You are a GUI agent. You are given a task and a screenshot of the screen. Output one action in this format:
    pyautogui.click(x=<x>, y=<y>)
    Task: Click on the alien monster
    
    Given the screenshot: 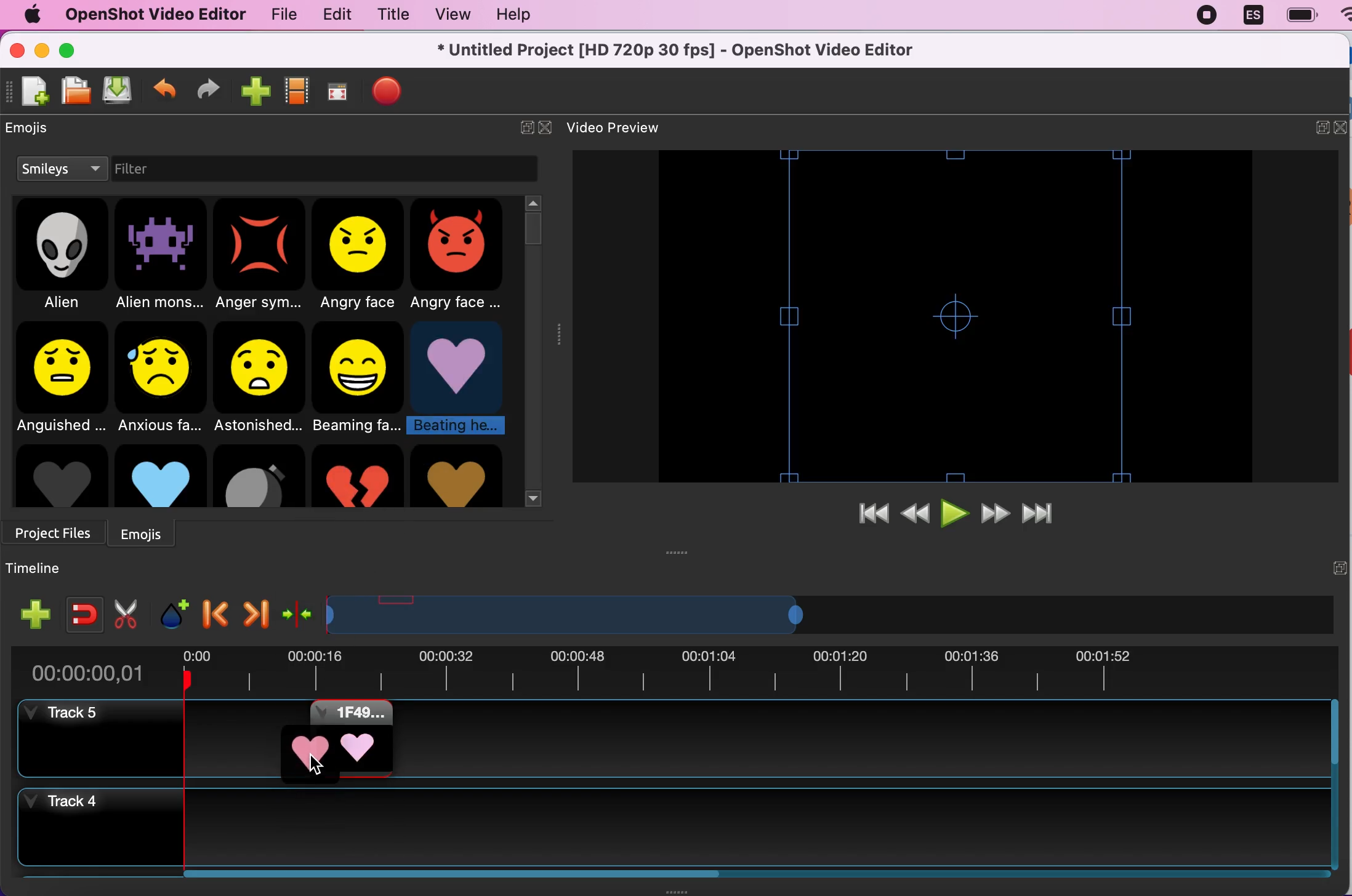 What is the action you would take?
    pyautogui.click(x=161, y=257)
    